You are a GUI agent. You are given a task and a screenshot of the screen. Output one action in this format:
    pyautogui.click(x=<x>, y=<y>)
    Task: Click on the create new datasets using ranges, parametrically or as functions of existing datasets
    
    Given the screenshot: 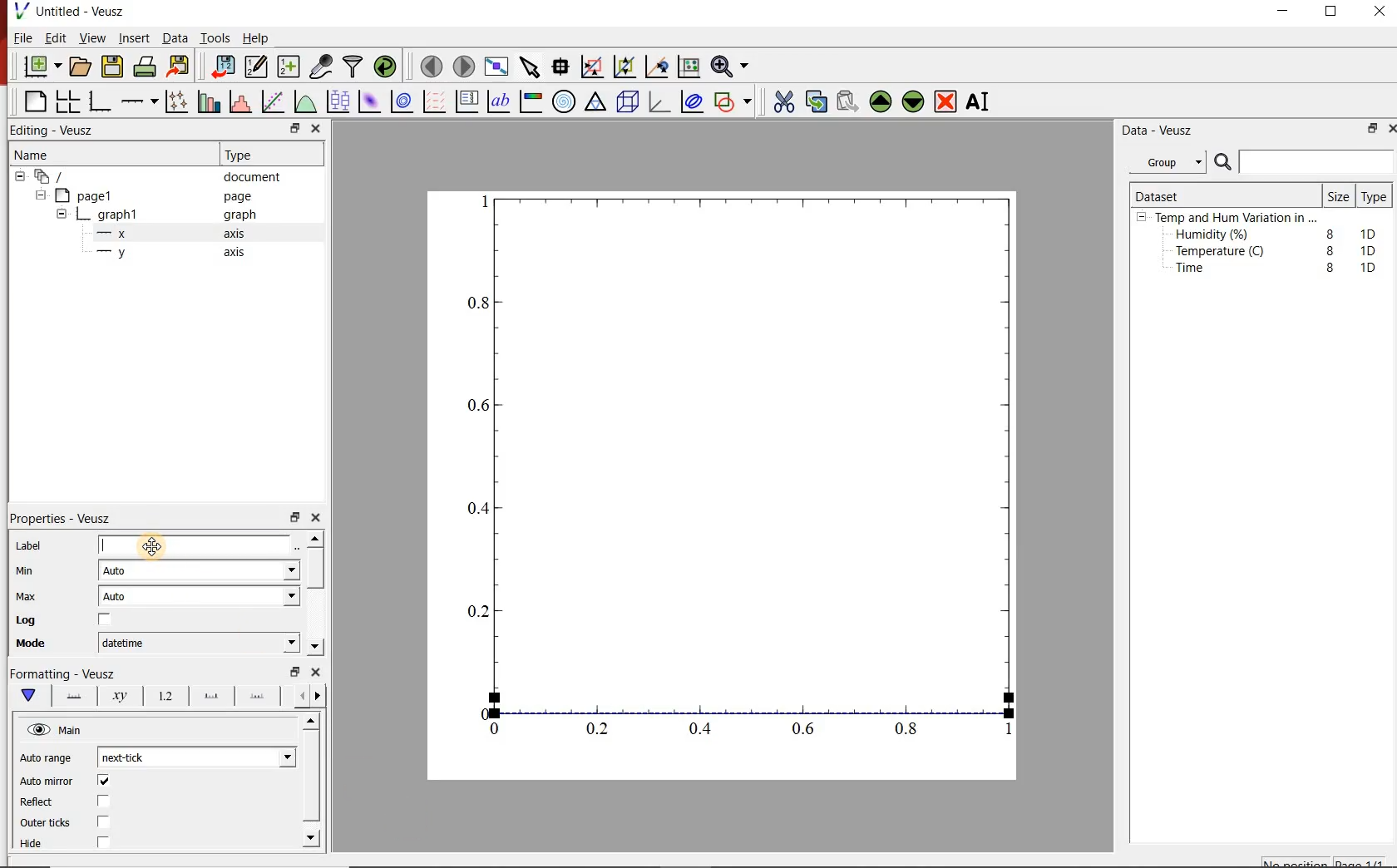 What is the action you would take?
    pyautogui.click(x=289, y=67)
    